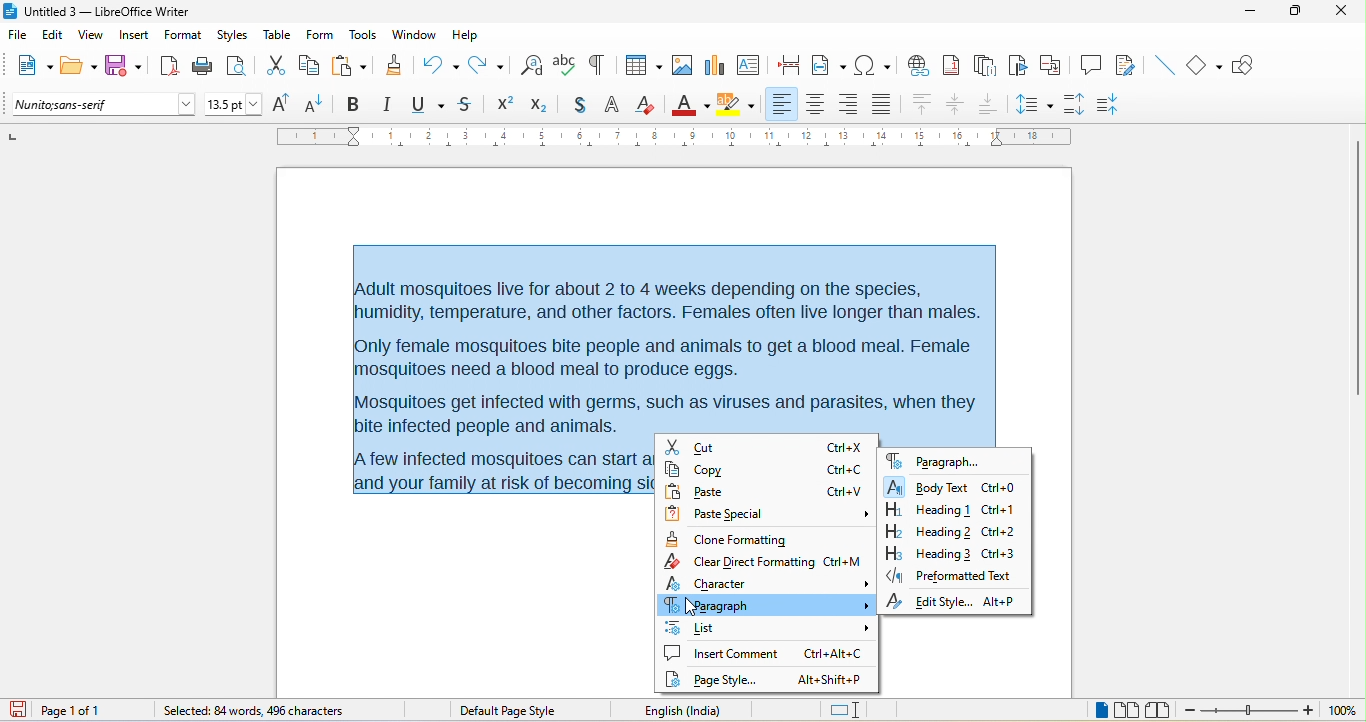 Image resolution: width=1366 pixels, height=722 pixels. What do you see at coordinates (923, 105) in the screenshot?
I see `align top` at bounding box center [923, 105].